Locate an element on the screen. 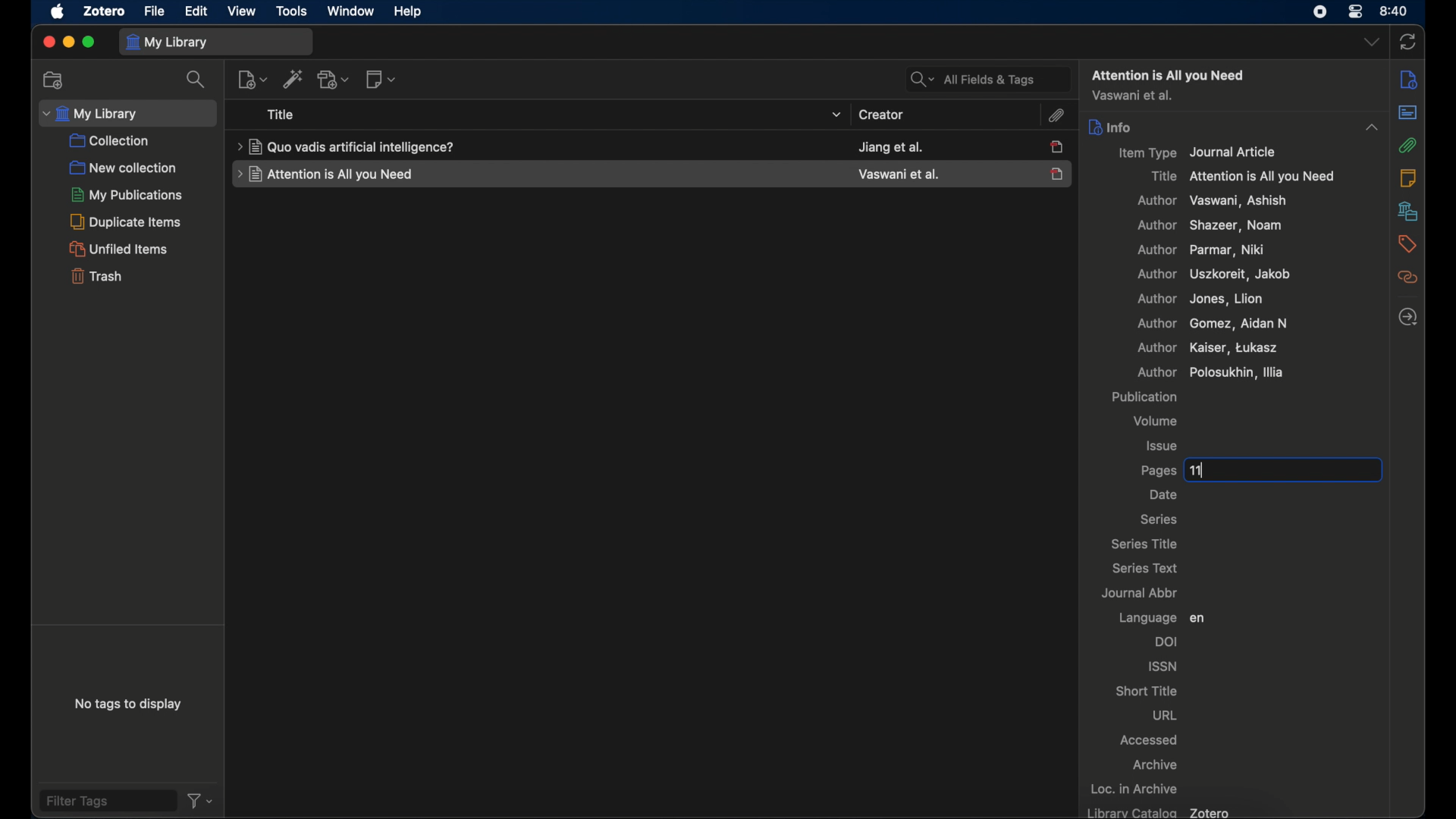 The height and width of the screenshot is (819, 1456). locate is located at coordinates (1408, 317).